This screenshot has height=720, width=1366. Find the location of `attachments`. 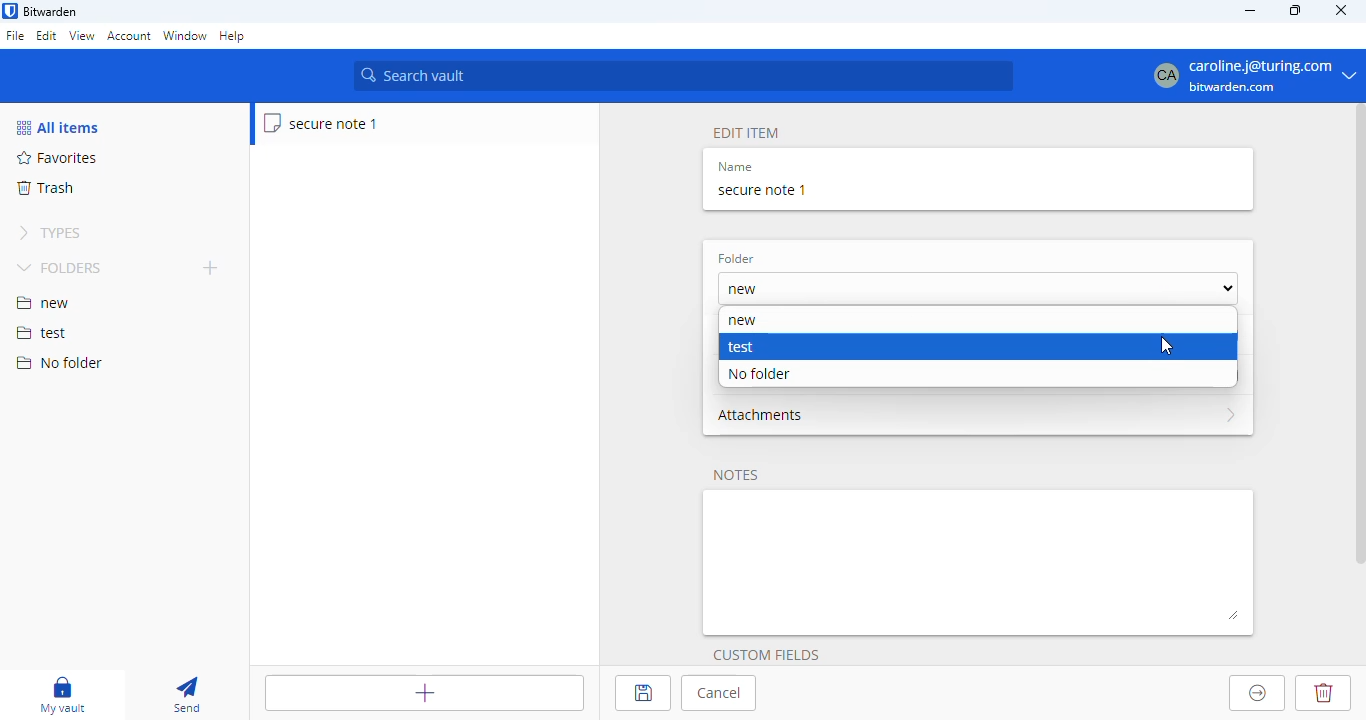

attachments is located at coordinates (978, 415).